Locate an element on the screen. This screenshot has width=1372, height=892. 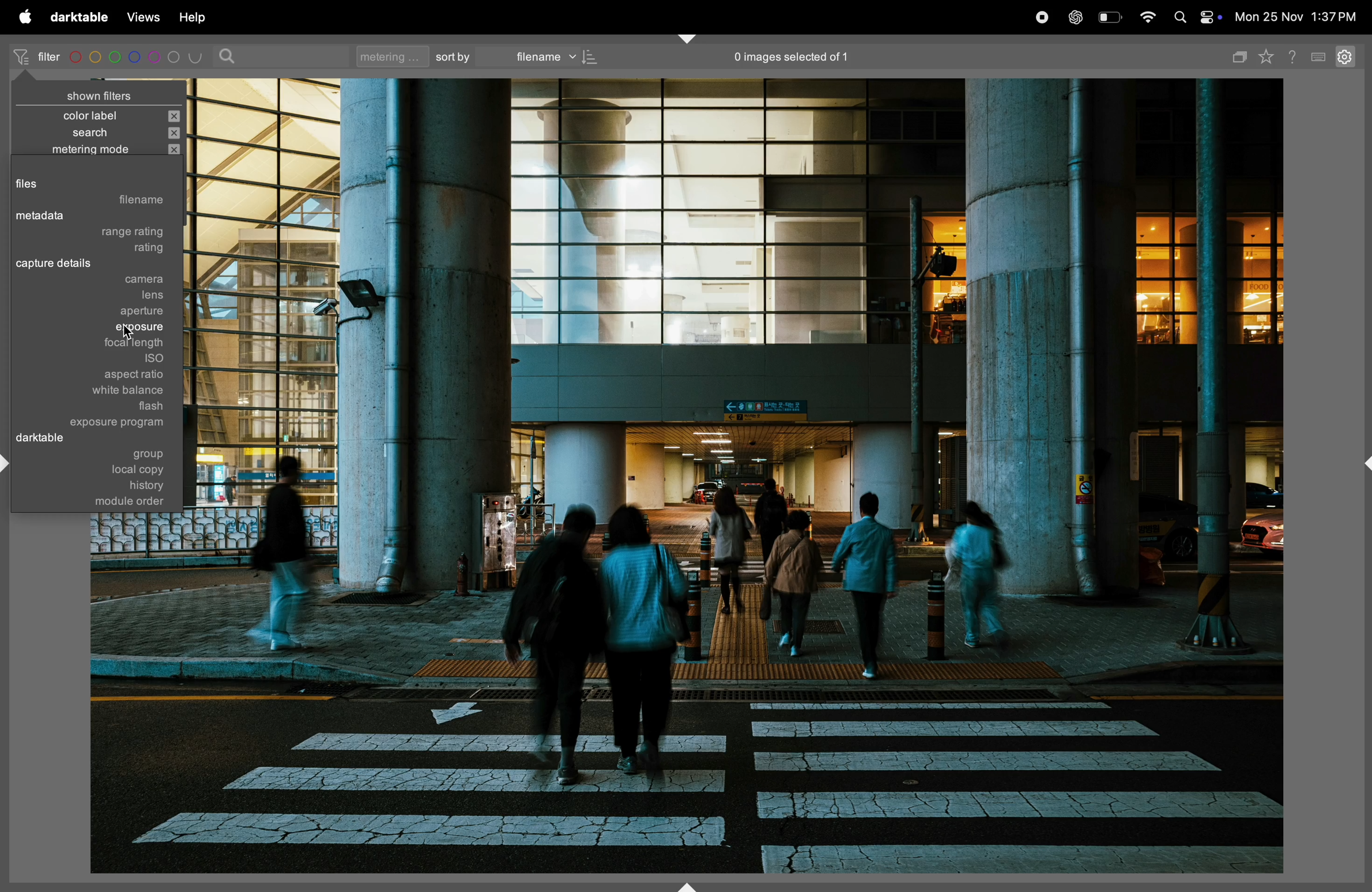
file name is located at coordinates (127, 202).